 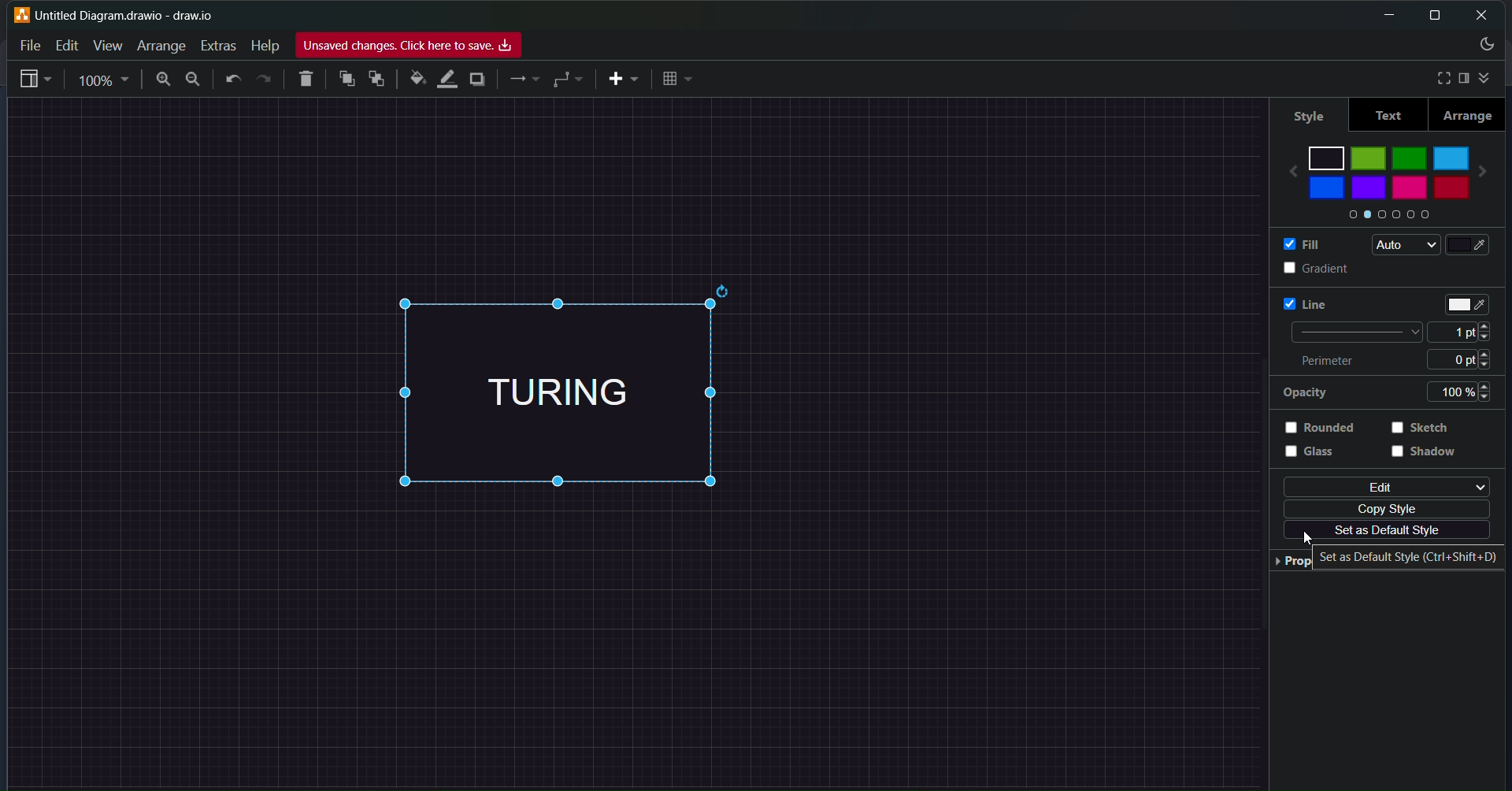 What do you see at coordinates (1371, 188) in the screenshot?
I see `purple` at bounding box center [1371, 188].